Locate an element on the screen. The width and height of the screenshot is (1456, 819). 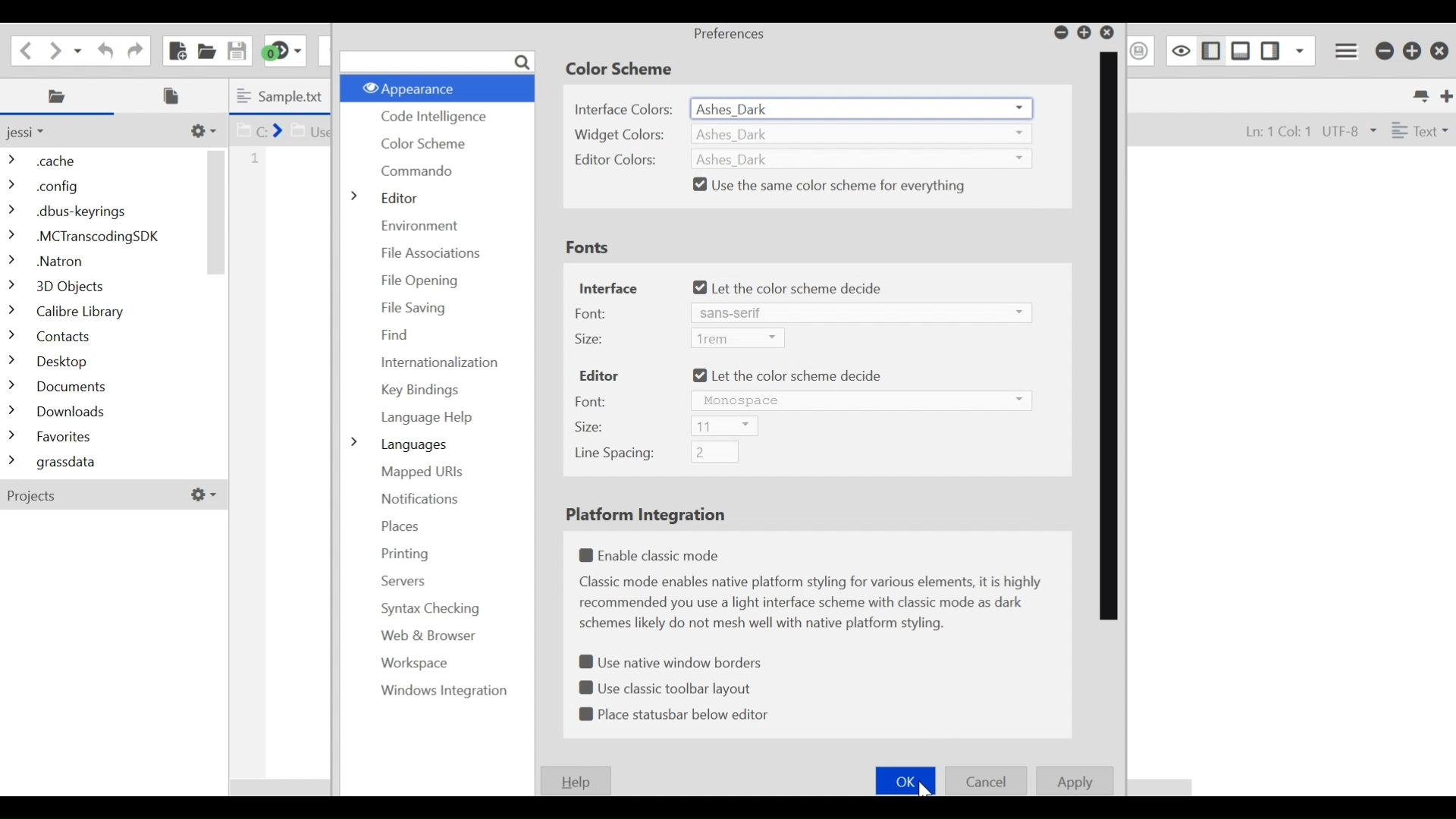
redmond is located at coordinates (857, 428).